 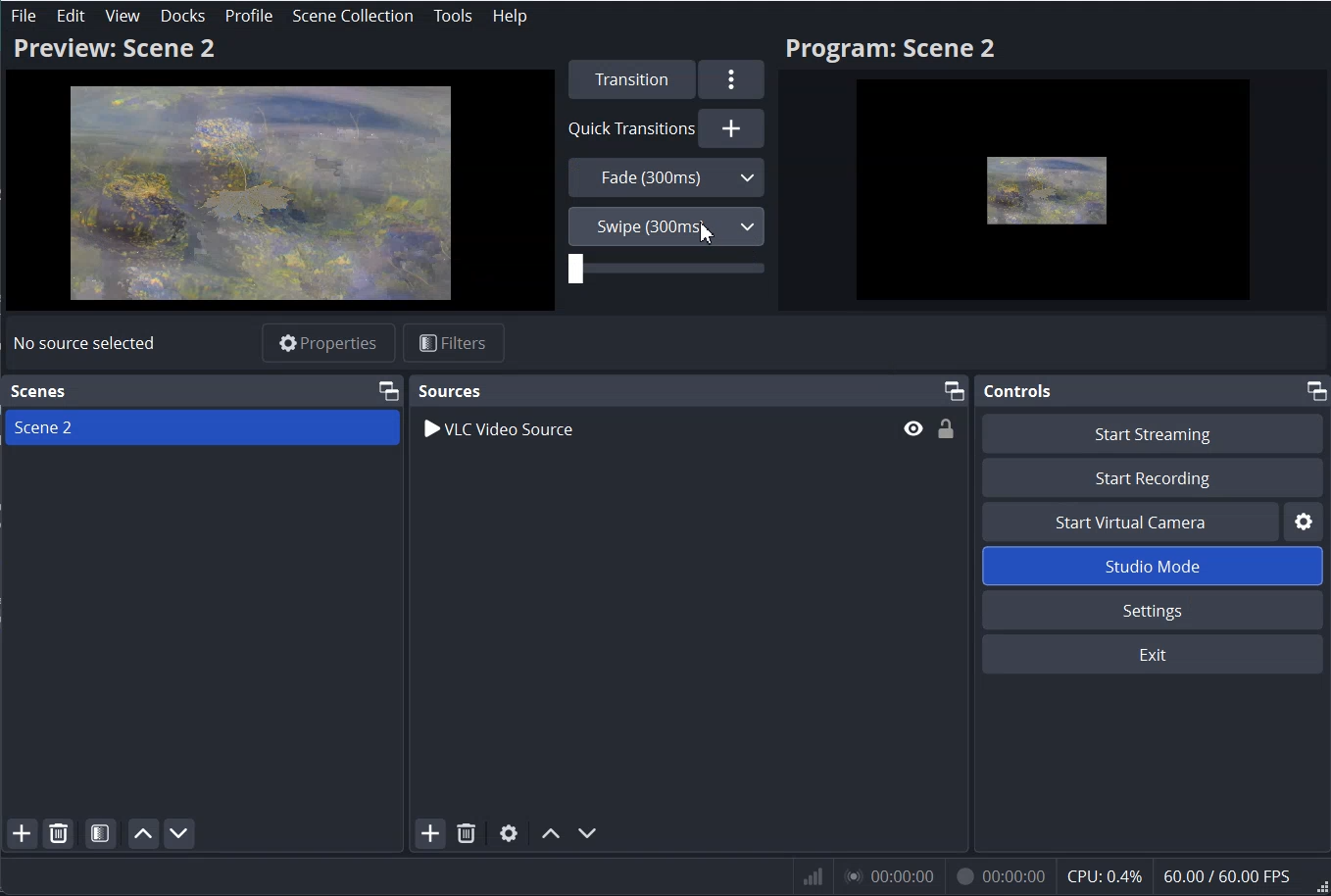 What do you see at coordinates (22, 833) in the screenshot?
I see `Add Scene` at bounding box center [22, 833].